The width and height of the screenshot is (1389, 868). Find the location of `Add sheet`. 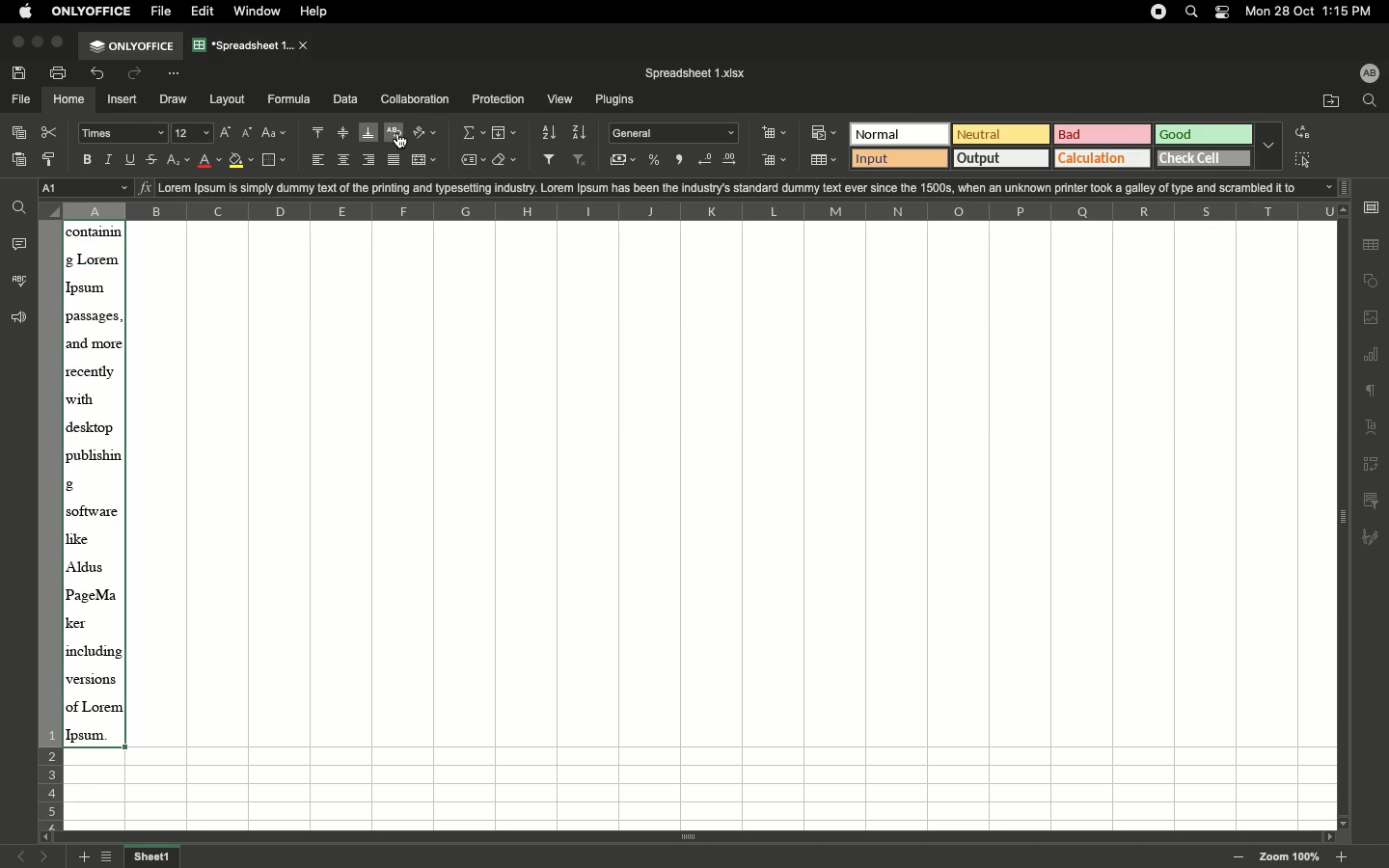

Add sheet is located at coordinates (84, 857).